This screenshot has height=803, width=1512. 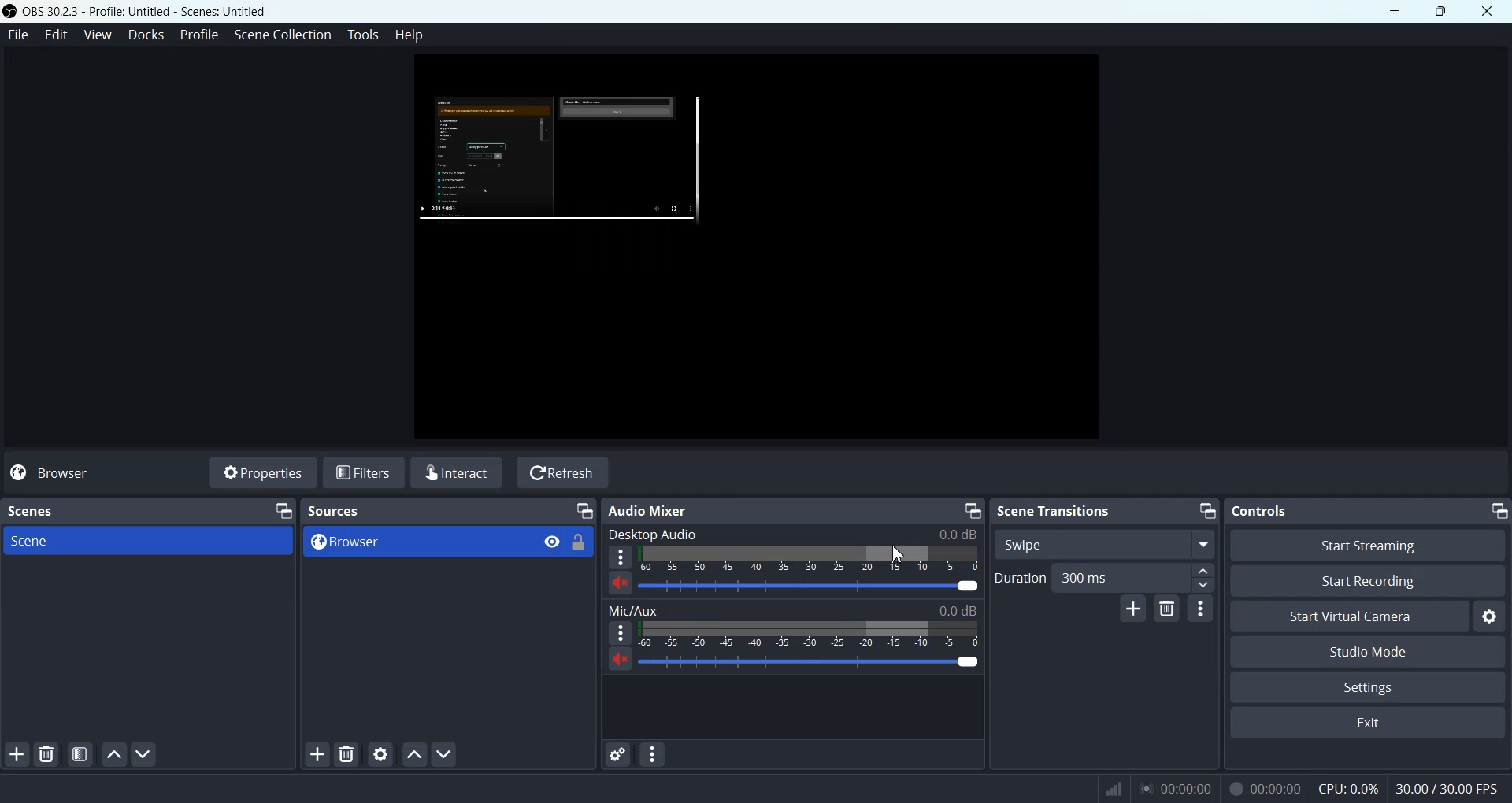 I want to click on 300 ms, so click(x=1137, y=578).